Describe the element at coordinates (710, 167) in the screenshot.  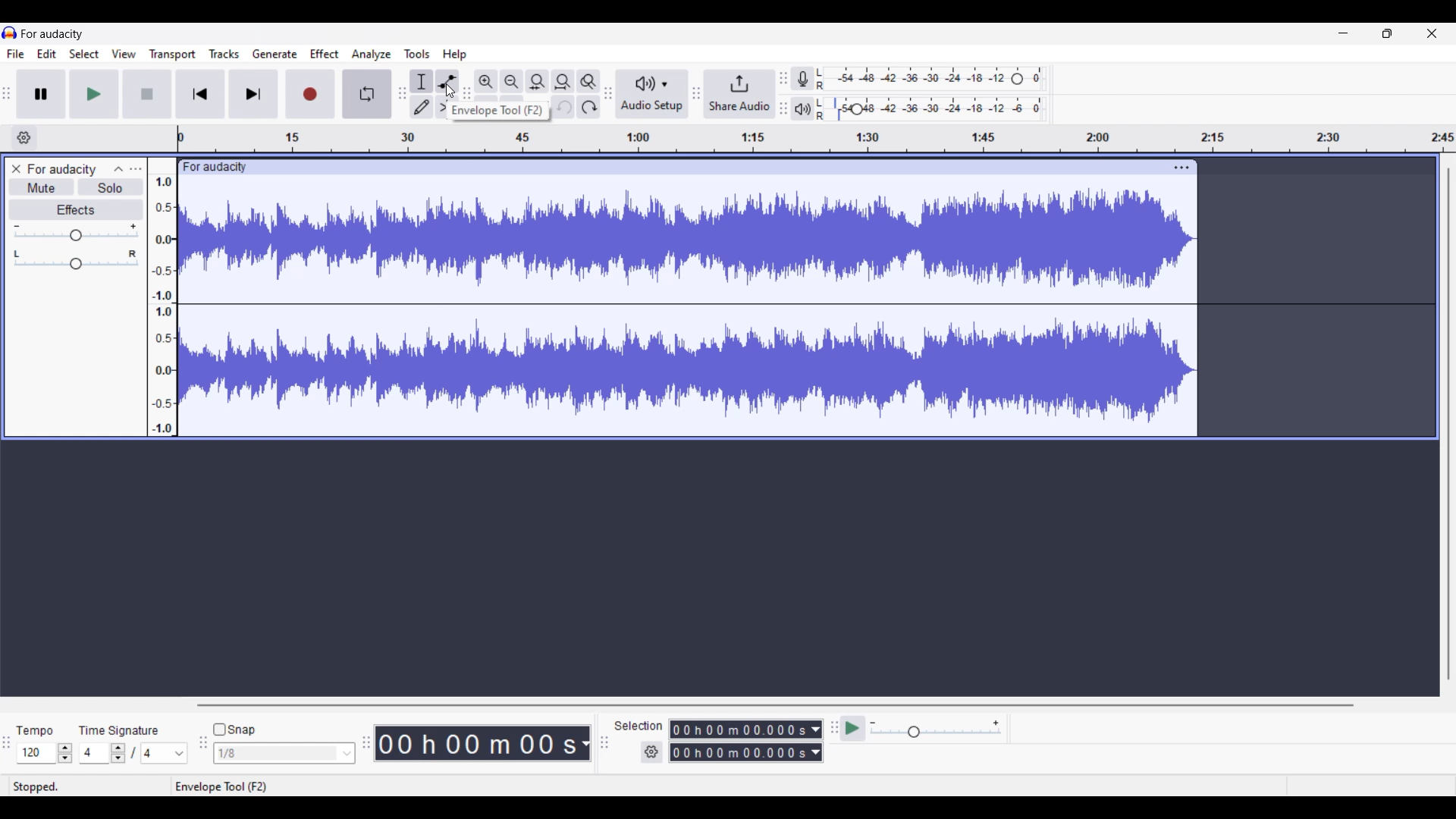
I see `click to move` at that location.